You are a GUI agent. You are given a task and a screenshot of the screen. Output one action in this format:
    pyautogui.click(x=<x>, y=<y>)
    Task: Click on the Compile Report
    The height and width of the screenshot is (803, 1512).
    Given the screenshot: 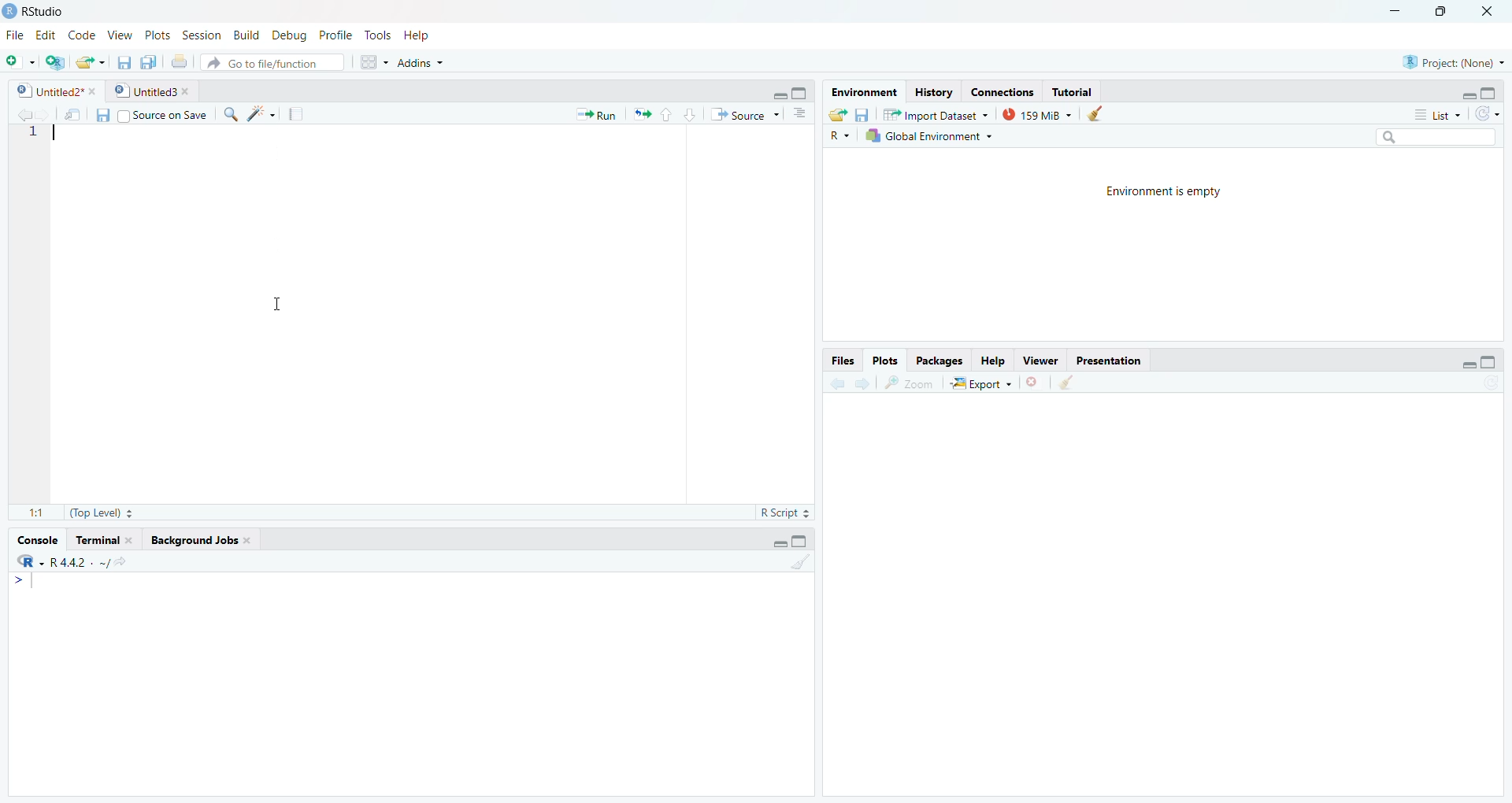 What is the action you would take?
    pyautogui.click(x=296, y=115)
    